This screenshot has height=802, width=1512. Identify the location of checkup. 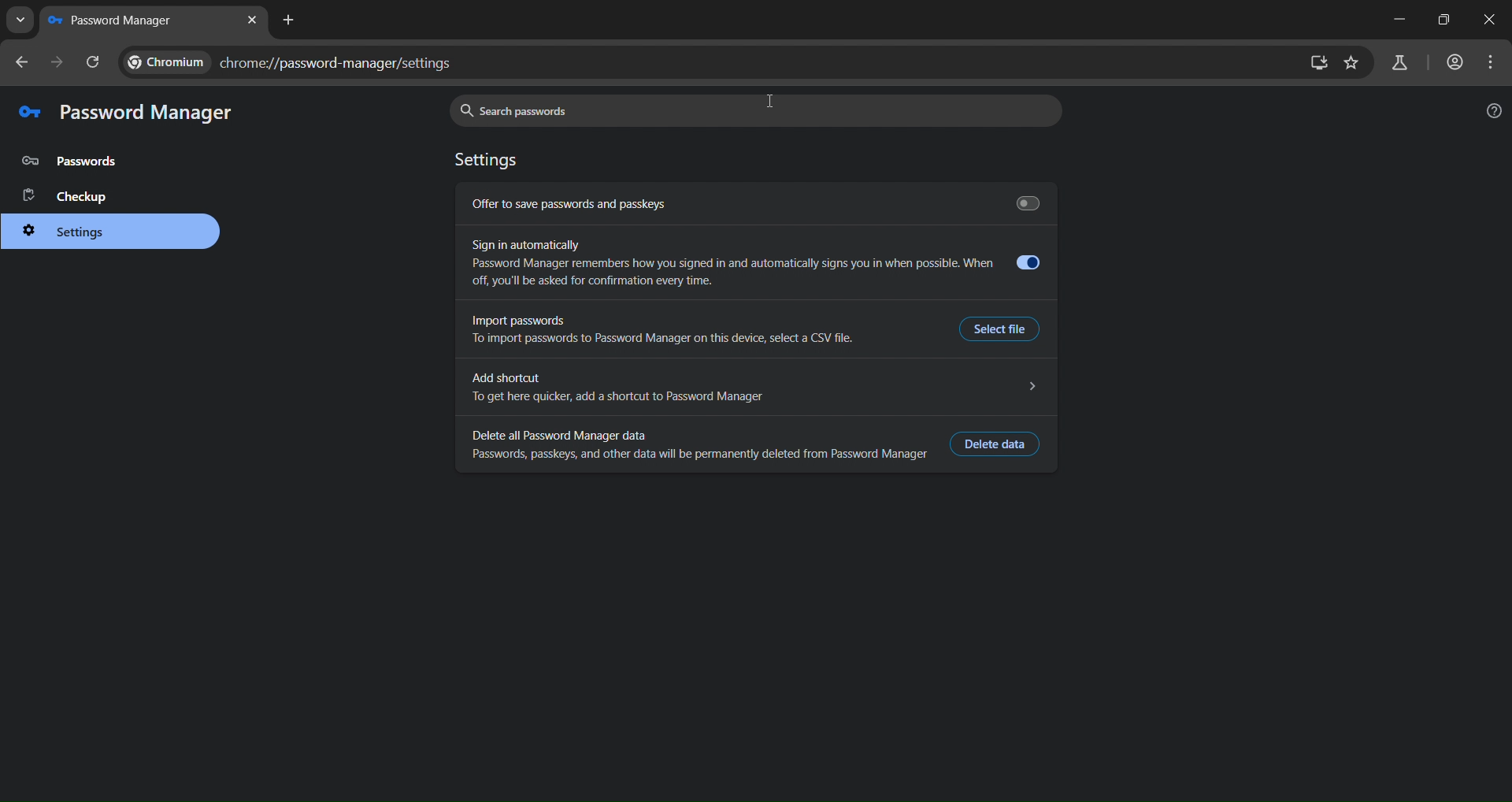
(64, 196).